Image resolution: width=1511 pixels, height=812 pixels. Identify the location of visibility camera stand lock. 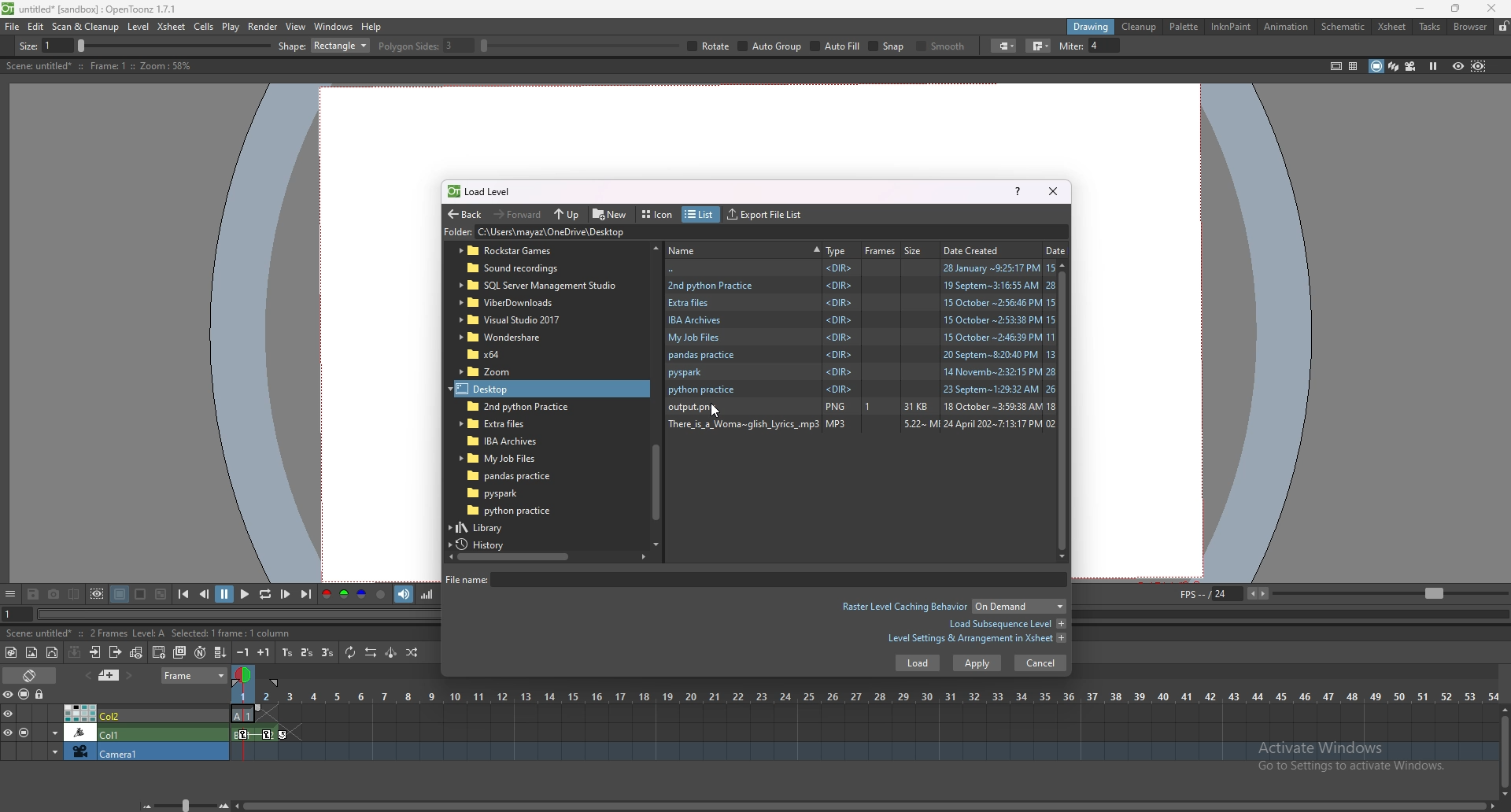
(26, 694).